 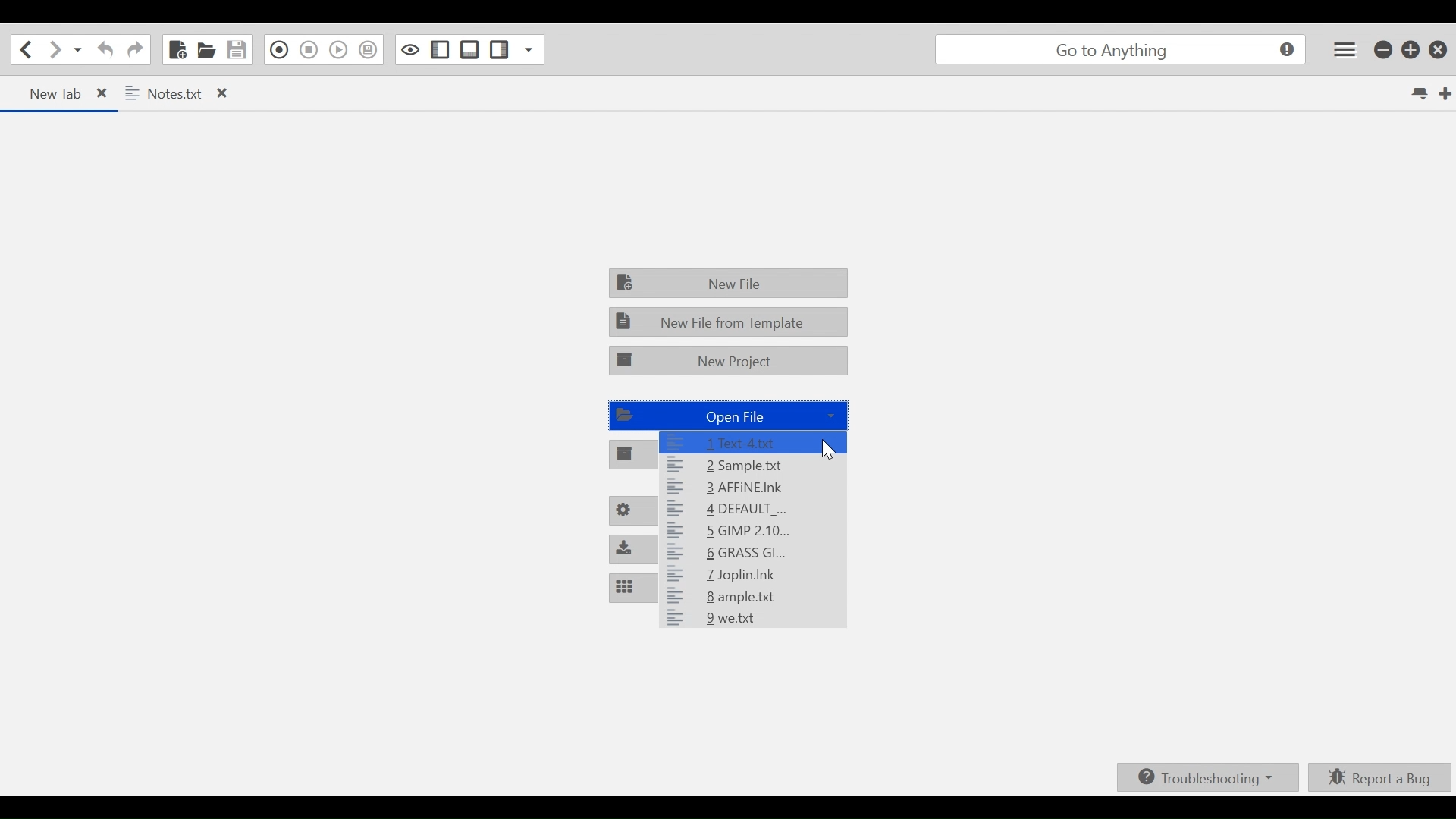 What do you see at coordinates (207, 50) in the screenshot?
I see `Open` at bounding box center [207, 50].